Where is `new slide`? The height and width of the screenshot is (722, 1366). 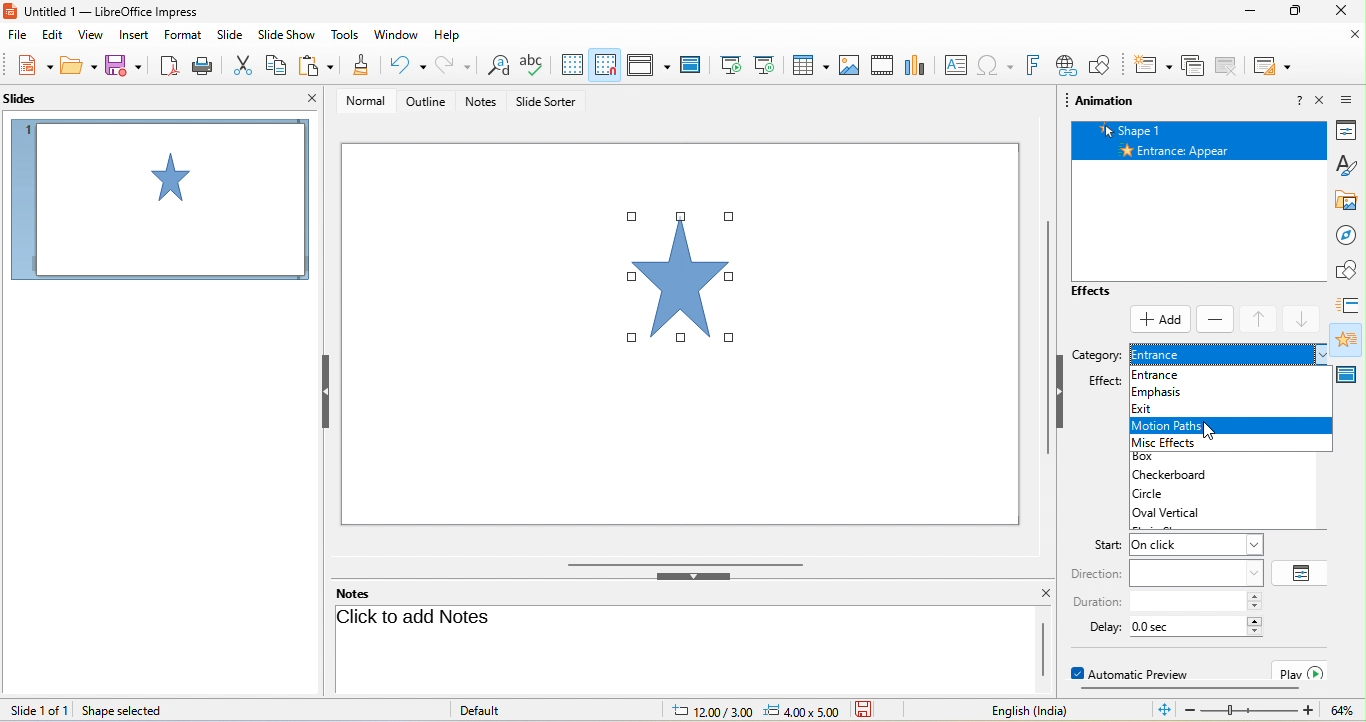 new slide is located at coordinates (1153, 67).